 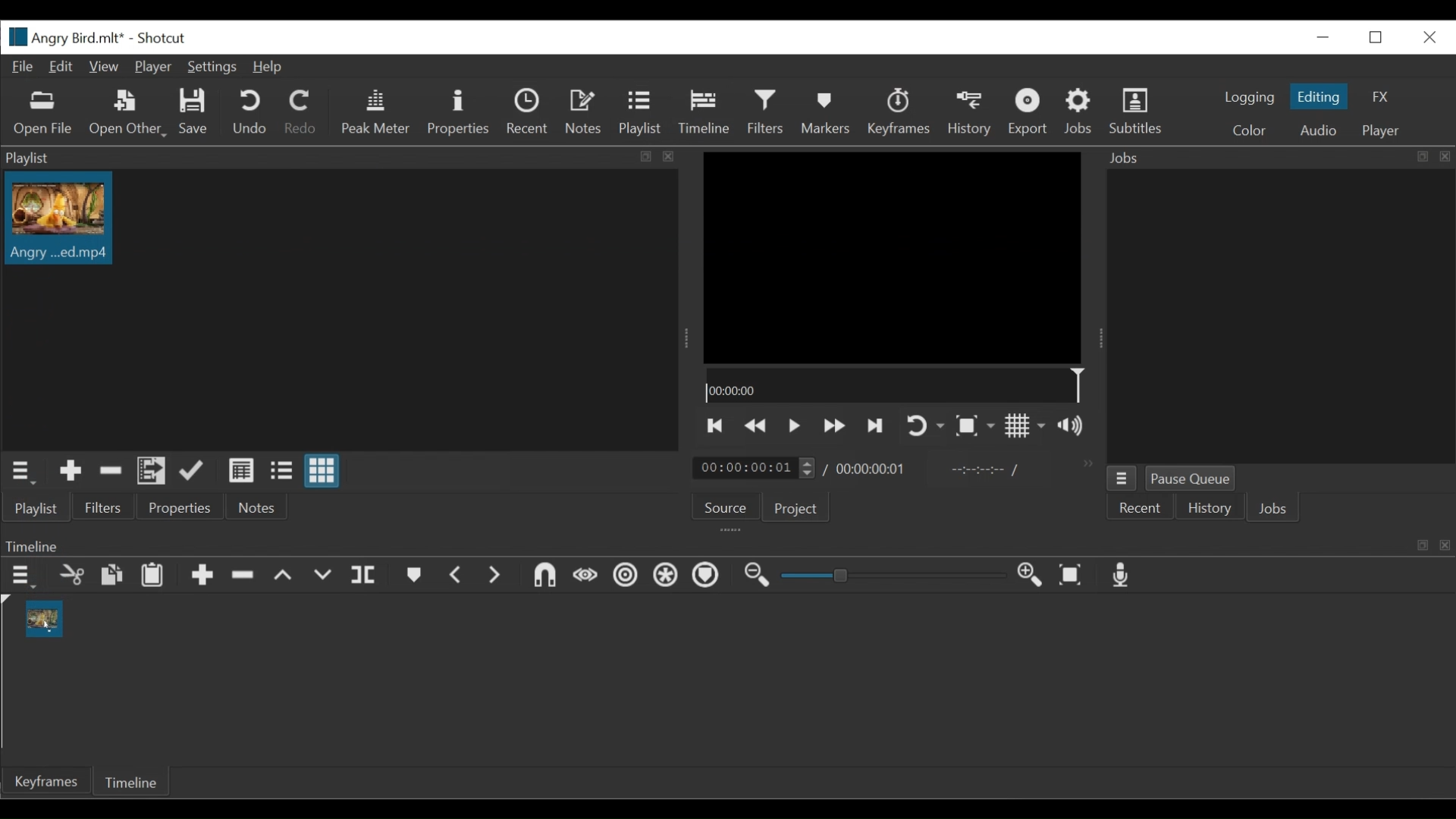 What do you see at coordinates (1193, 477) in the screenshot?
I see `Pause Queue` at bounding box center [1193, 477].